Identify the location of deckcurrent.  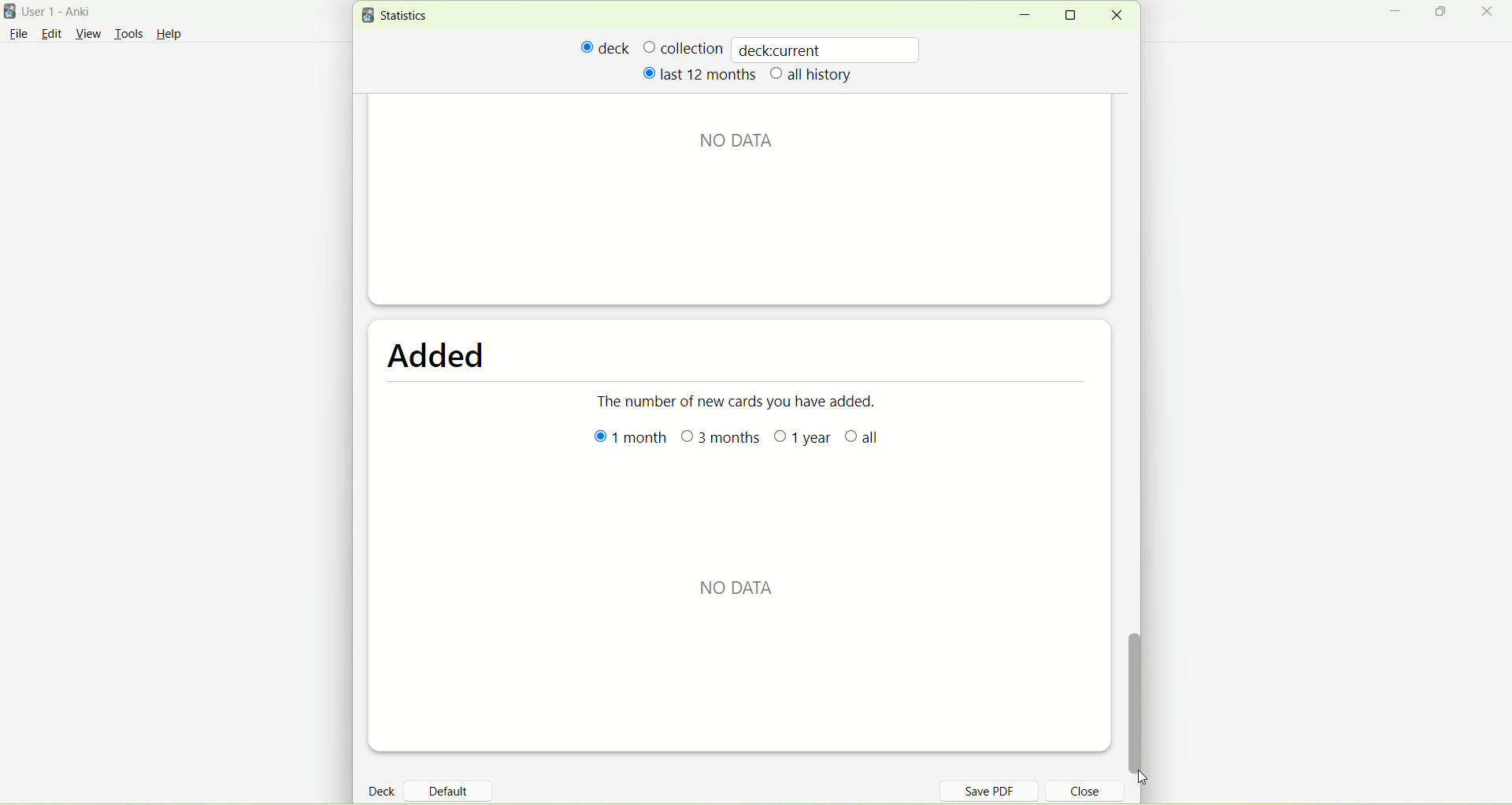
(828, 49).